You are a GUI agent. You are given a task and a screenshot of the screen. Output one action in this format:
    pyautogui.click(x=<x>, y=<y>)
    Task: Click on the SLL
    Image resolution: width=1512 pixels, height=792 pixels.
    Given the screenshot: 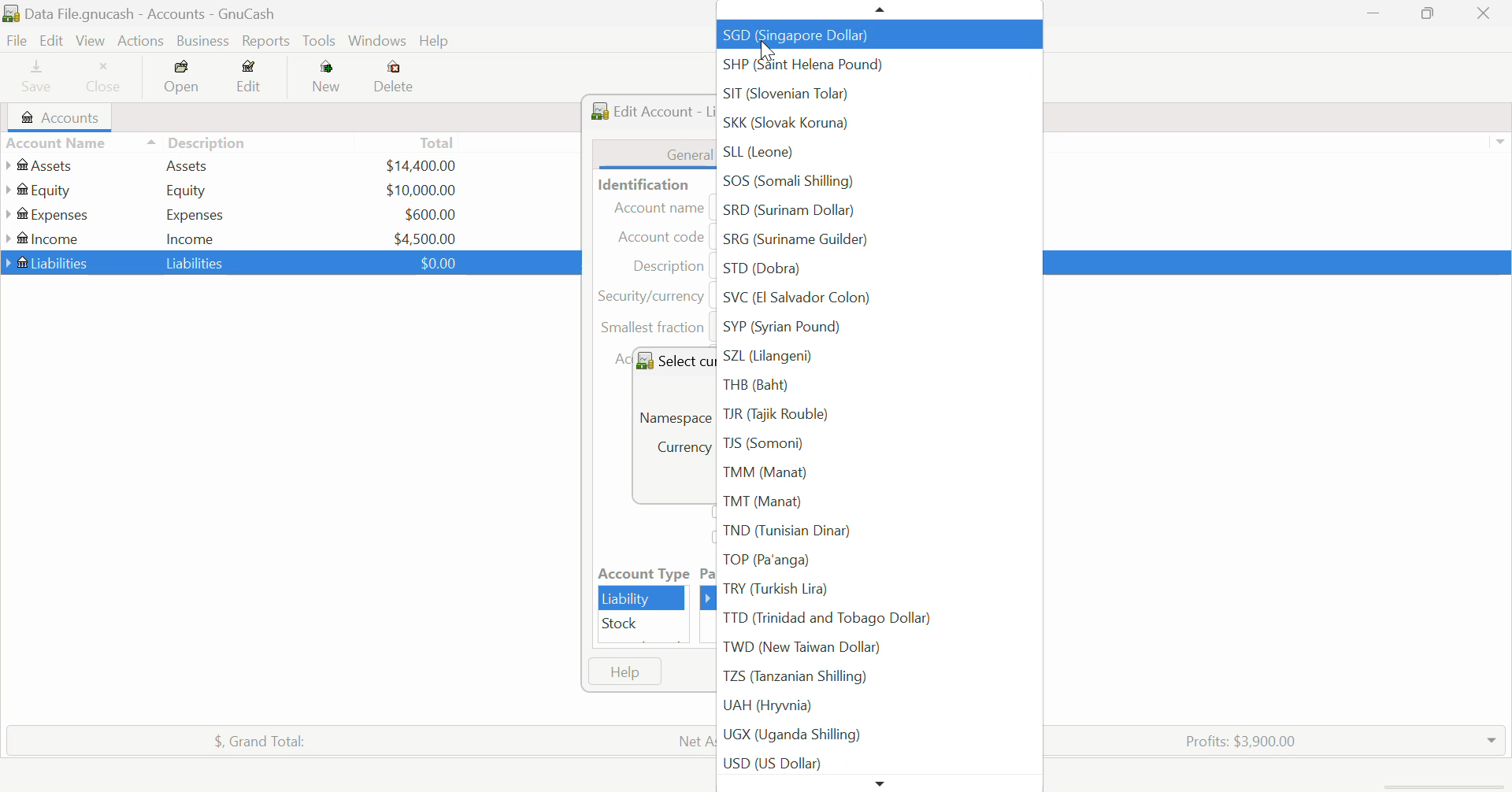 What is the action you would take?
    pyautogui.click(x=883, y=157)
    